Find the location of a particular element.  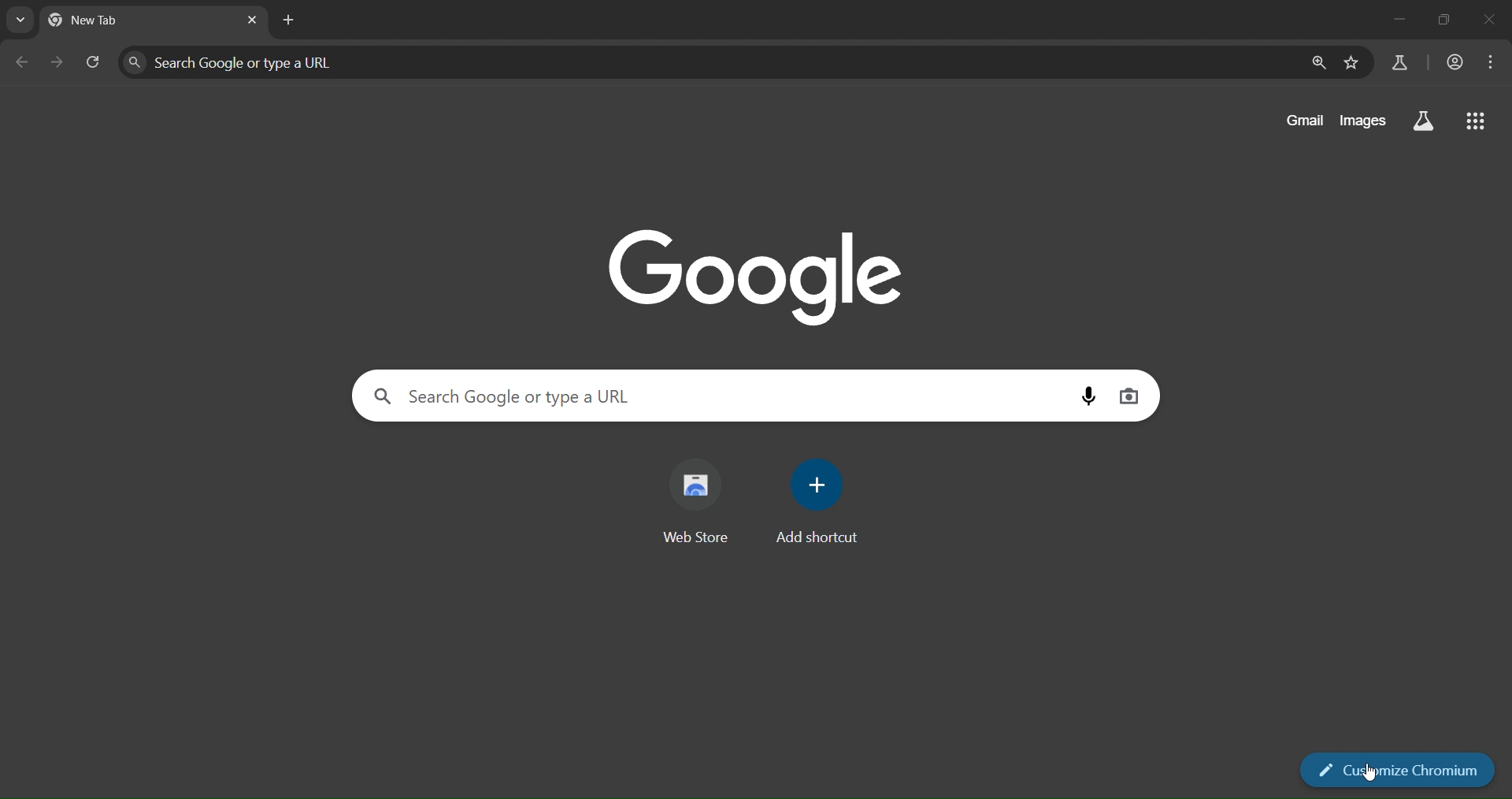

bookmark page is located at coordinates (1351, 61).